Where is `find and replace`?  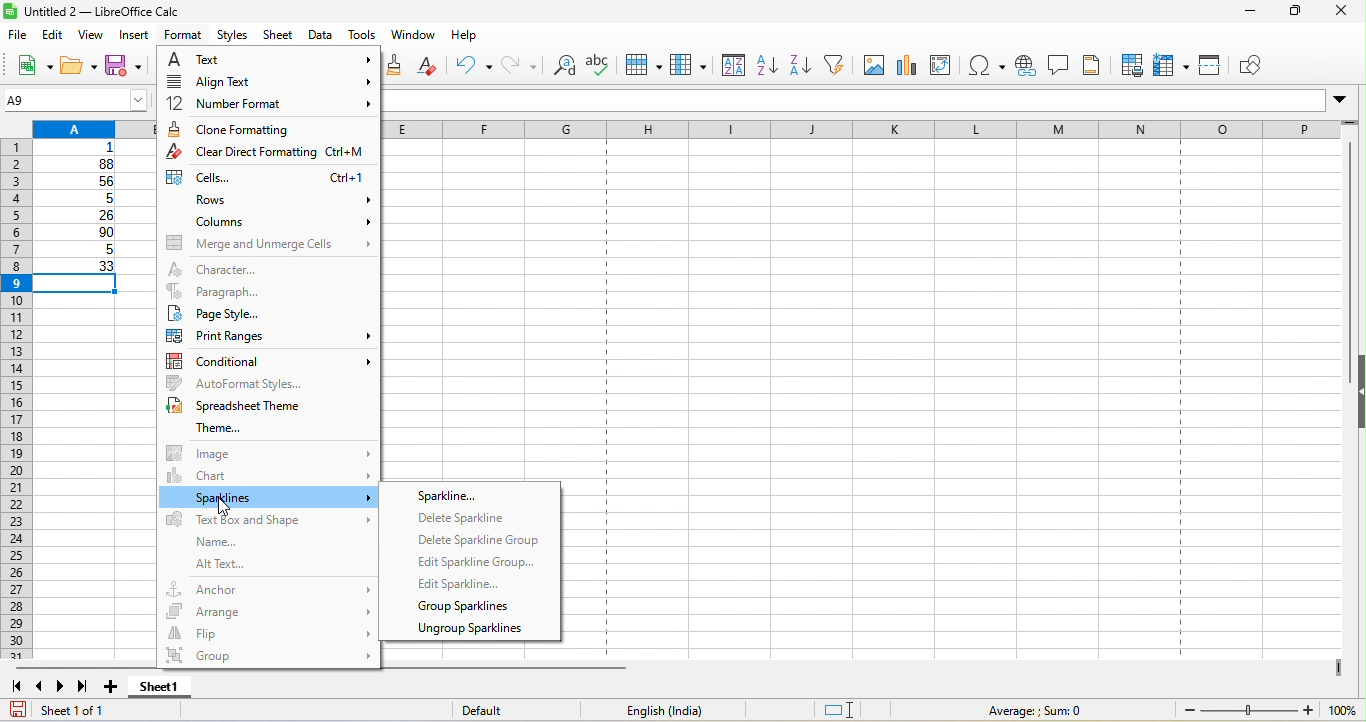 find and replace is located at coordinates (566, 68).